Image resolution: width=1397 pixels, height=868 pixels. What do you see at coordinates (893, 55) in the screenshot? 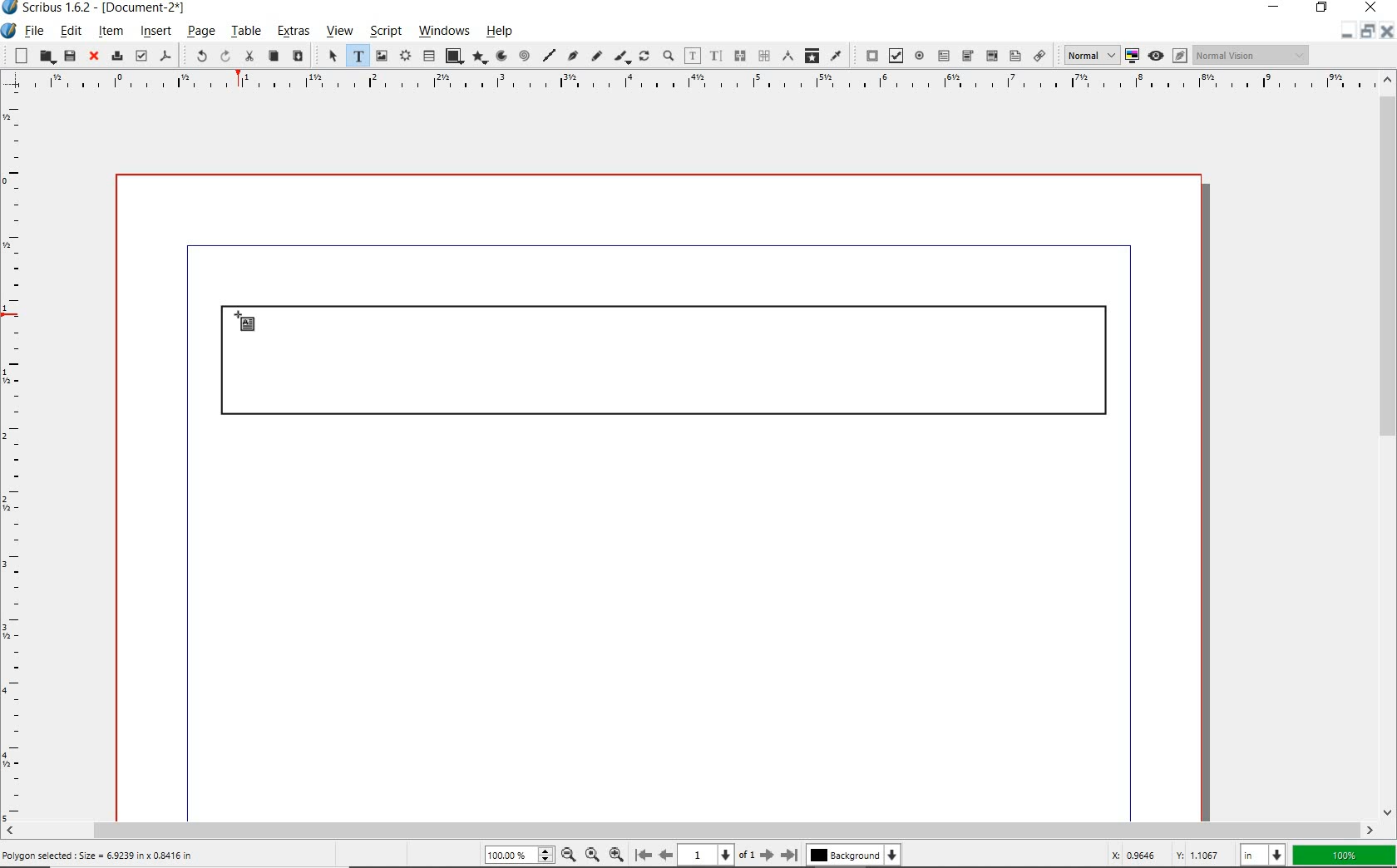
I see `pdf check box` at bounding box center [893, 55].